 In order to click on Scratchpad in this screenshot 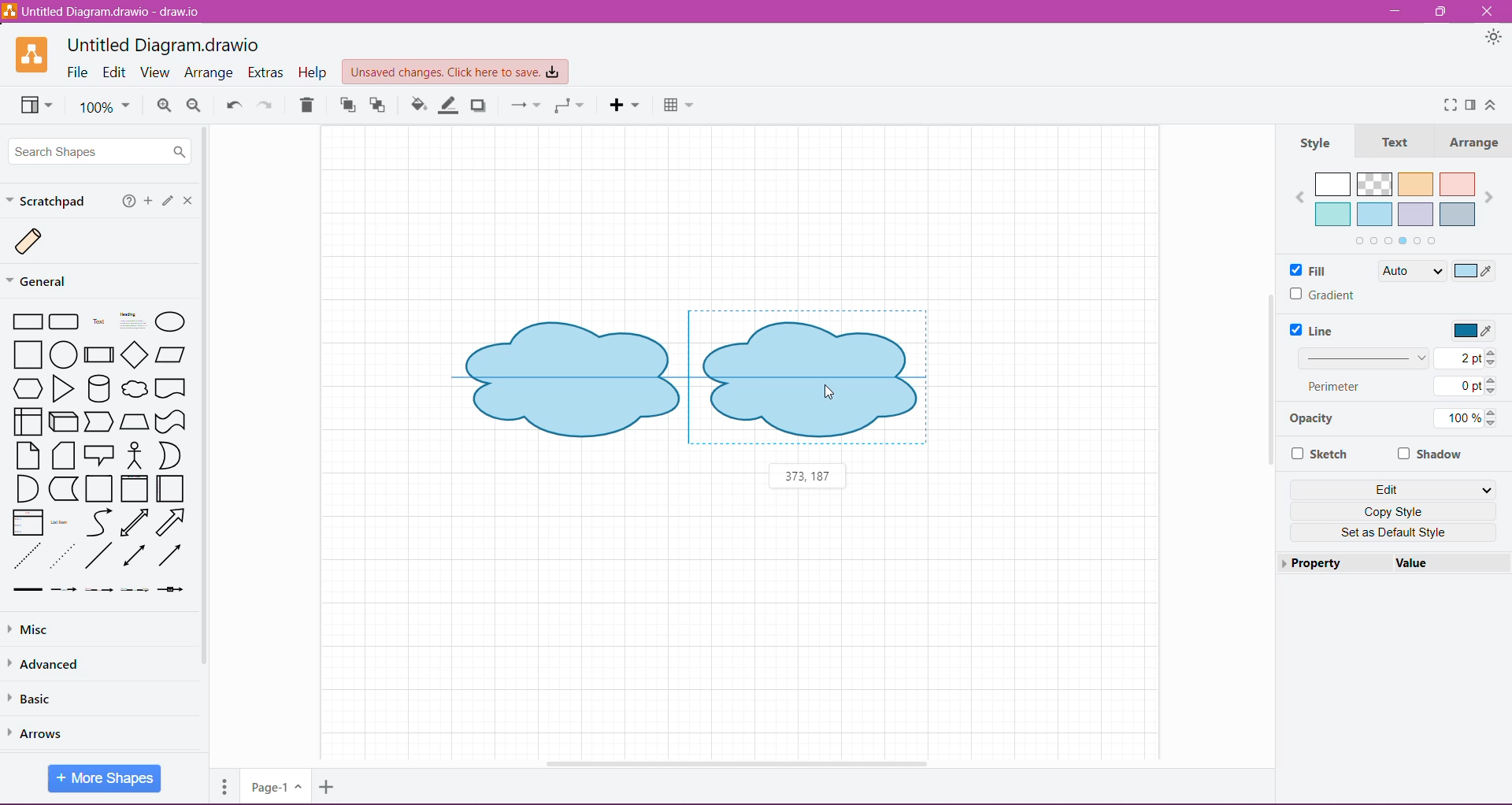, I will do `click(49, 201)`.